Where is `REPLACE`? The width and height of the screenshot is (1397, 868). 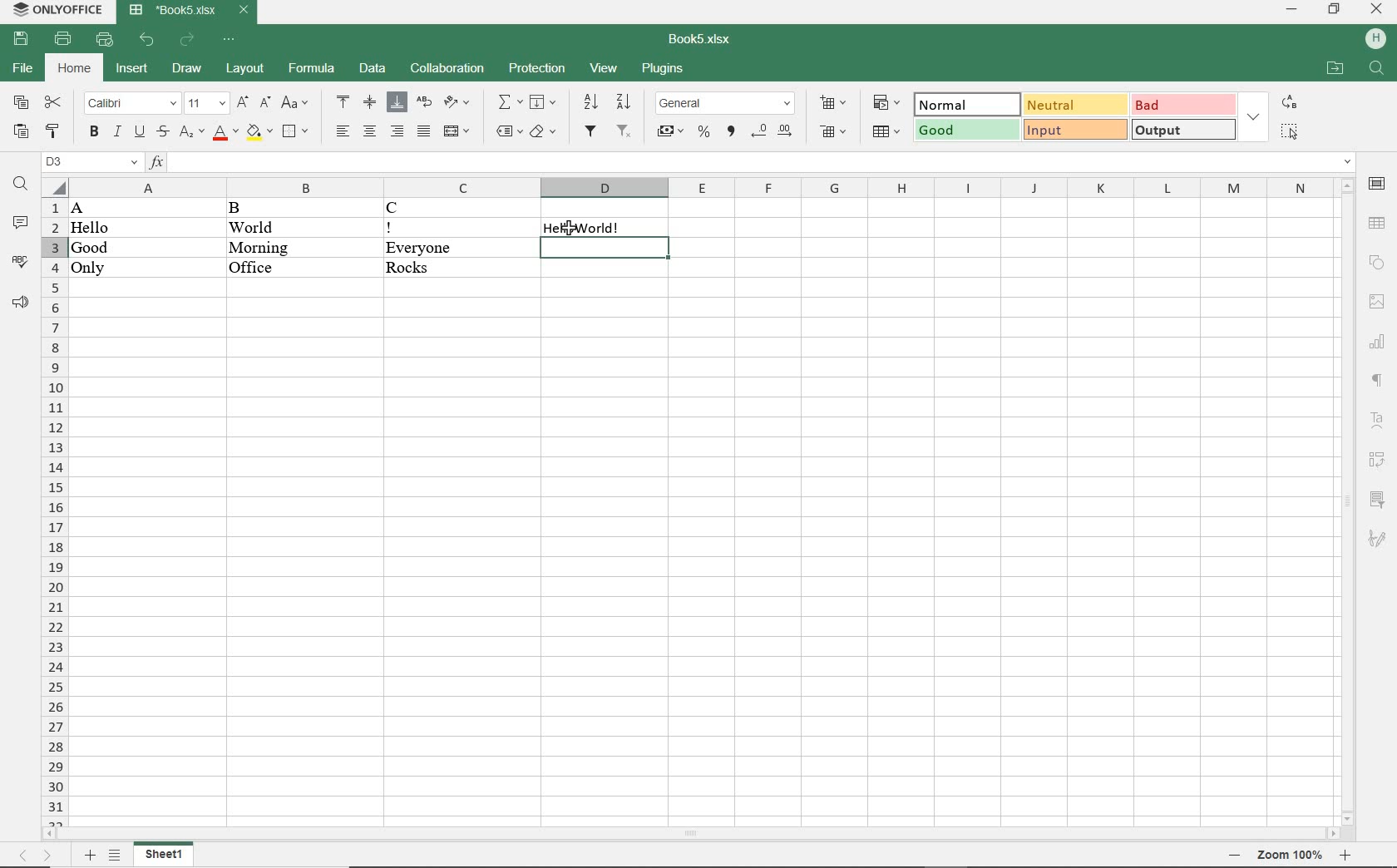 REPLACE is located at coordinates (1290, 103).